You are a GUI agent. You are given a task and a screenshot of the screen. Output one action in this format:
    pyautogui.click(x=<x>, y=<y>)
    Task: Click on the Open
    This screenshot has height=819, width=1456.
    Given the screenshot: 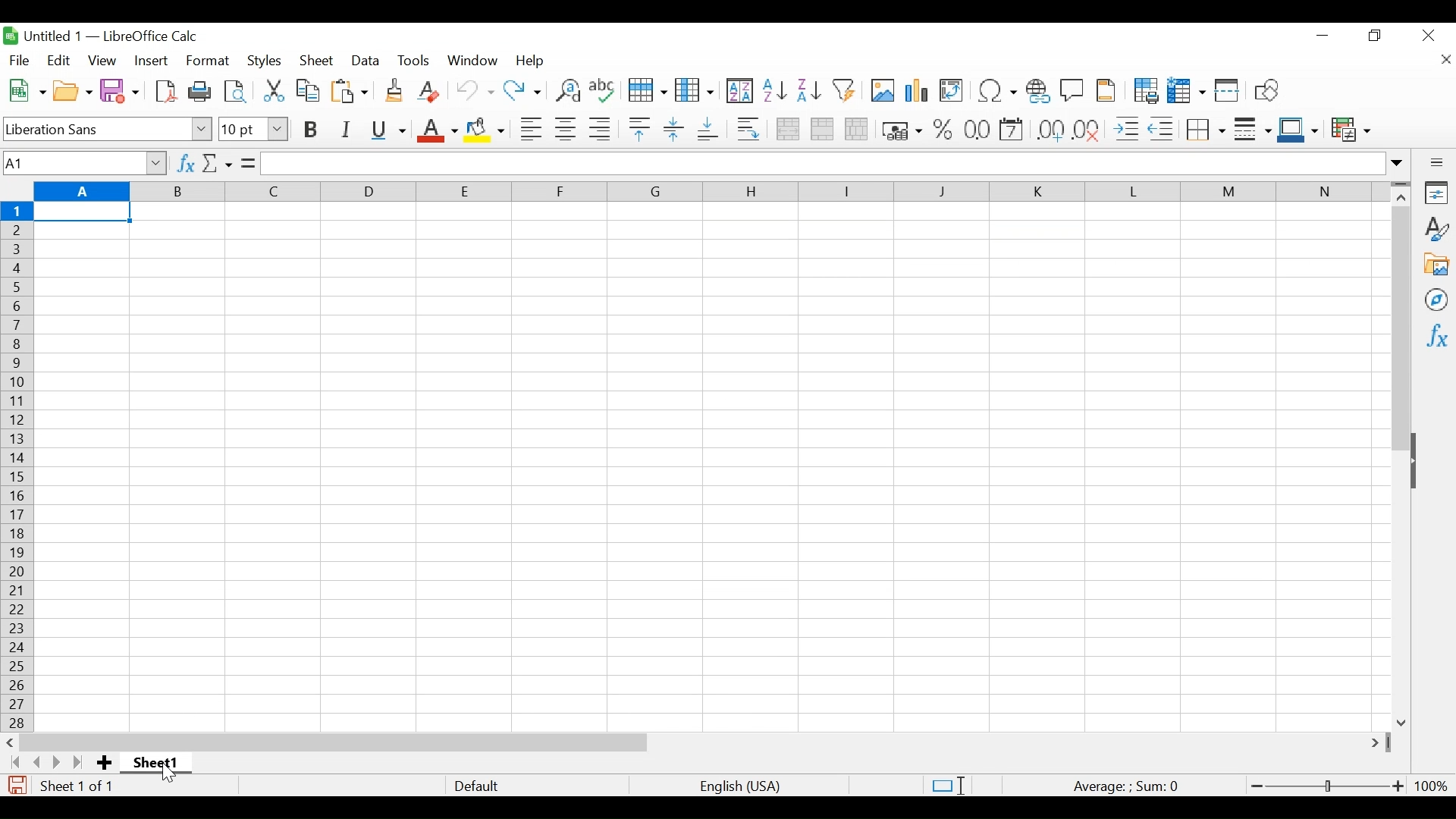 What is the action you would take?
    pyautogui.click(x=74, y=90)
    